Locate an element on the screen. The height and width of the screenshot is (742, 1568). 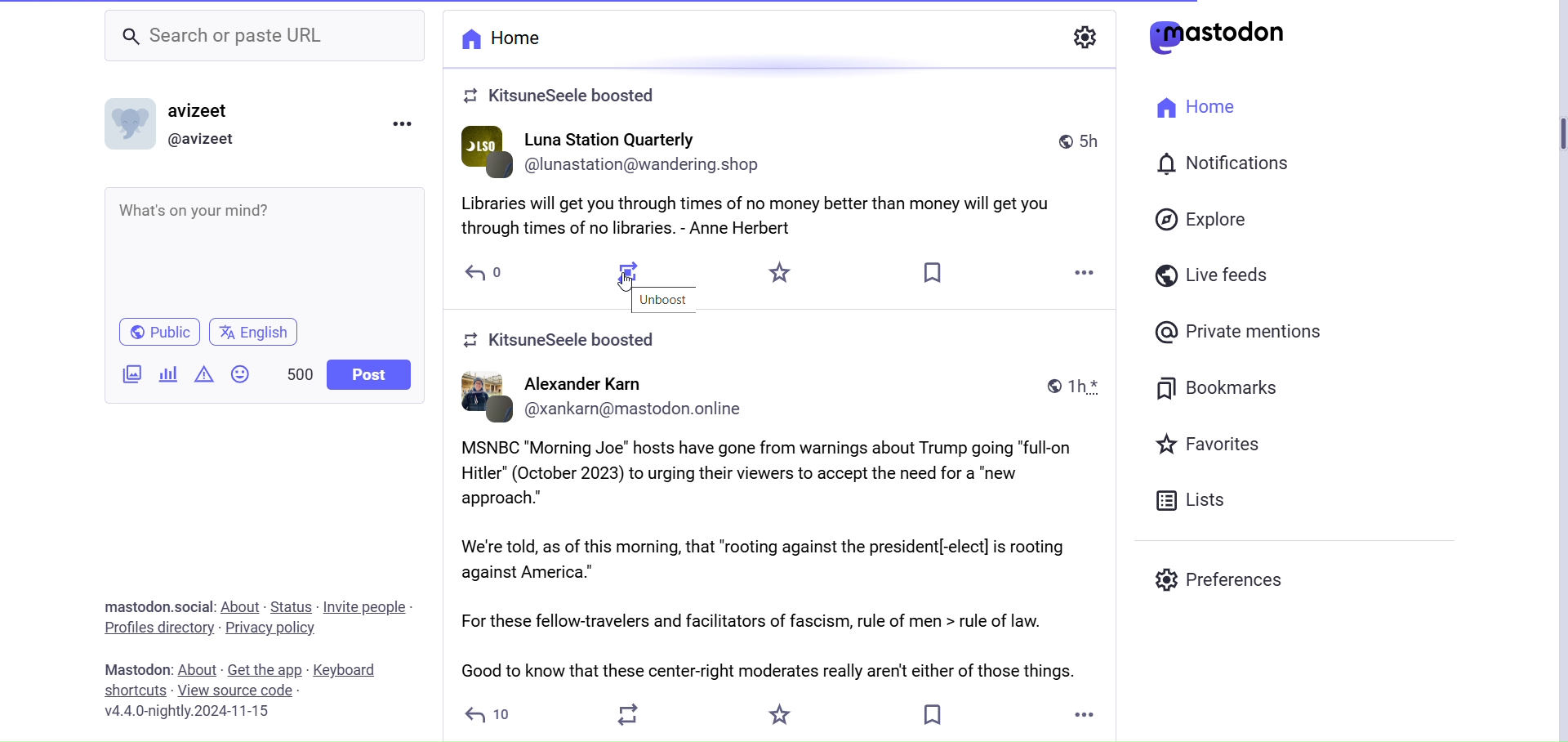
Bookmark is located at coordinates (932, 713).